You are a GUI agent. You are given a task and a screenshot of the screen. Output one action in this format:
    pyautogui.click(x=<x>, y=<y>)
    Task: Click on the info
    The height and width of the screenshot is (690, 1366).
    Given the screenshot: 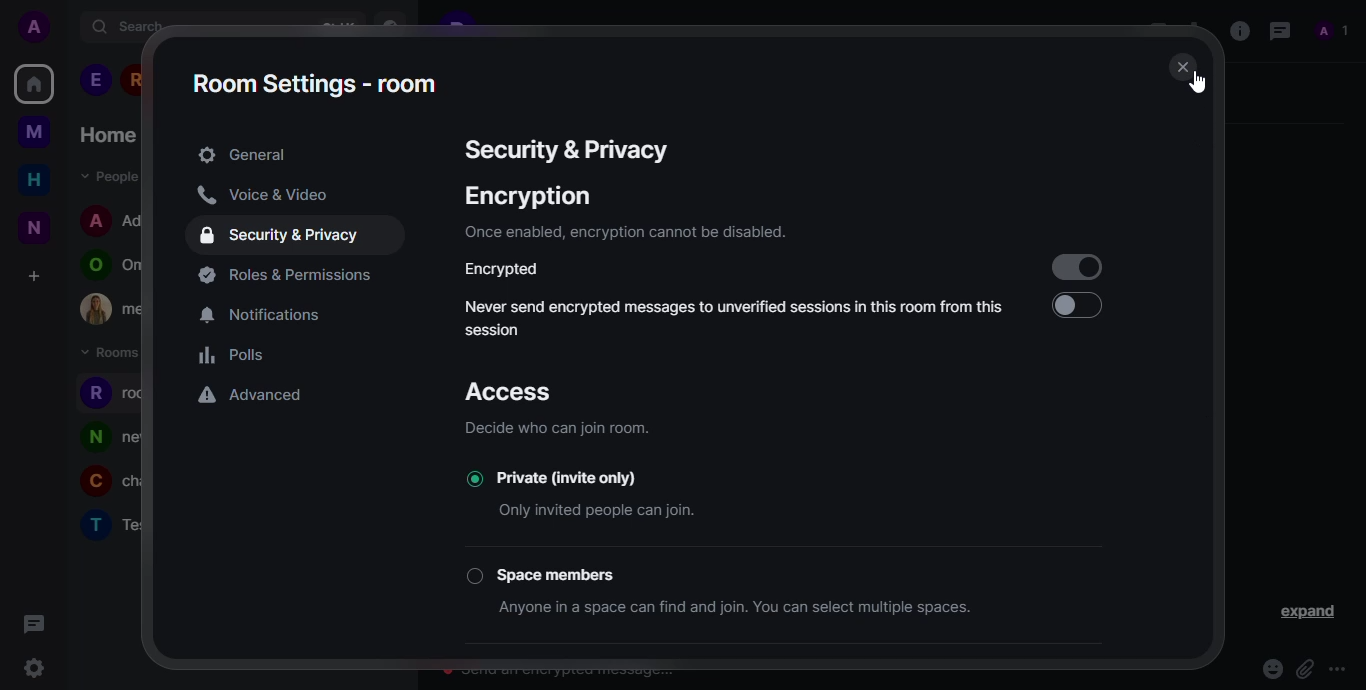 What is the action you would take?
    pyautogui.click(x=1236, y=30)
    